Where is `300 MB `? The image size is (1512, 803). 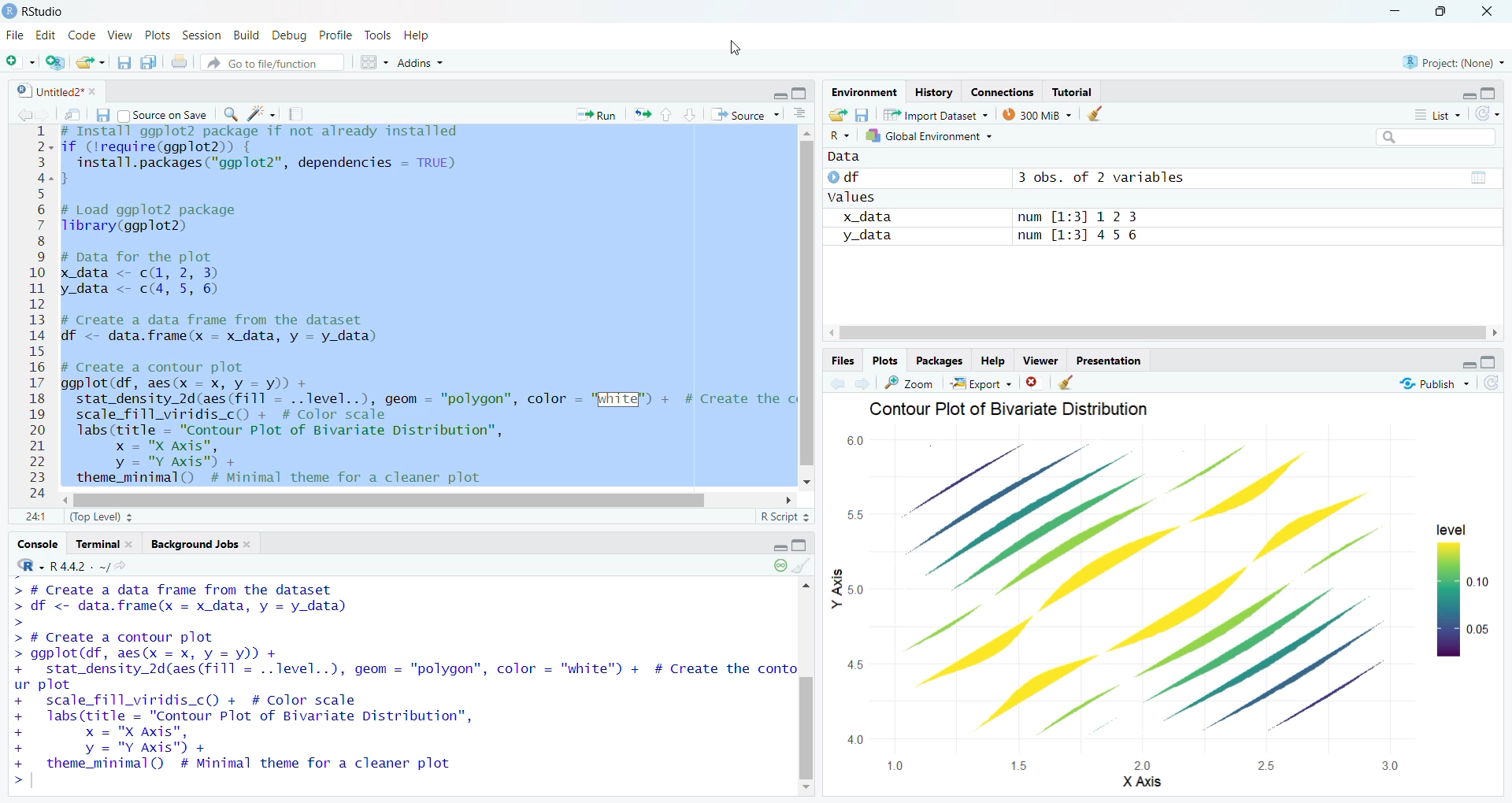
300 MB  is located at coordinates (1039, 114).